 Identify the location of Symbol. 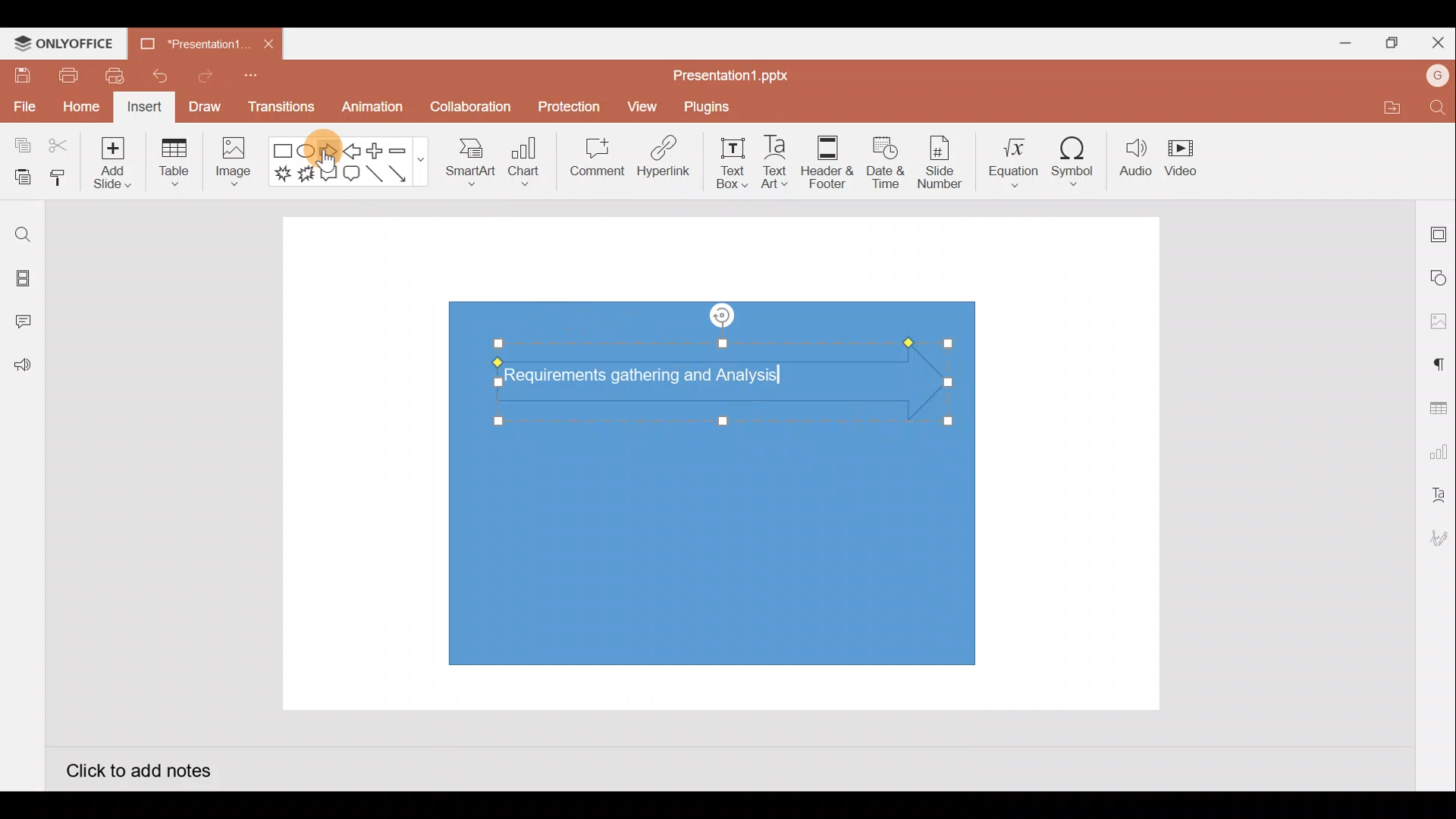
(1074, 158).